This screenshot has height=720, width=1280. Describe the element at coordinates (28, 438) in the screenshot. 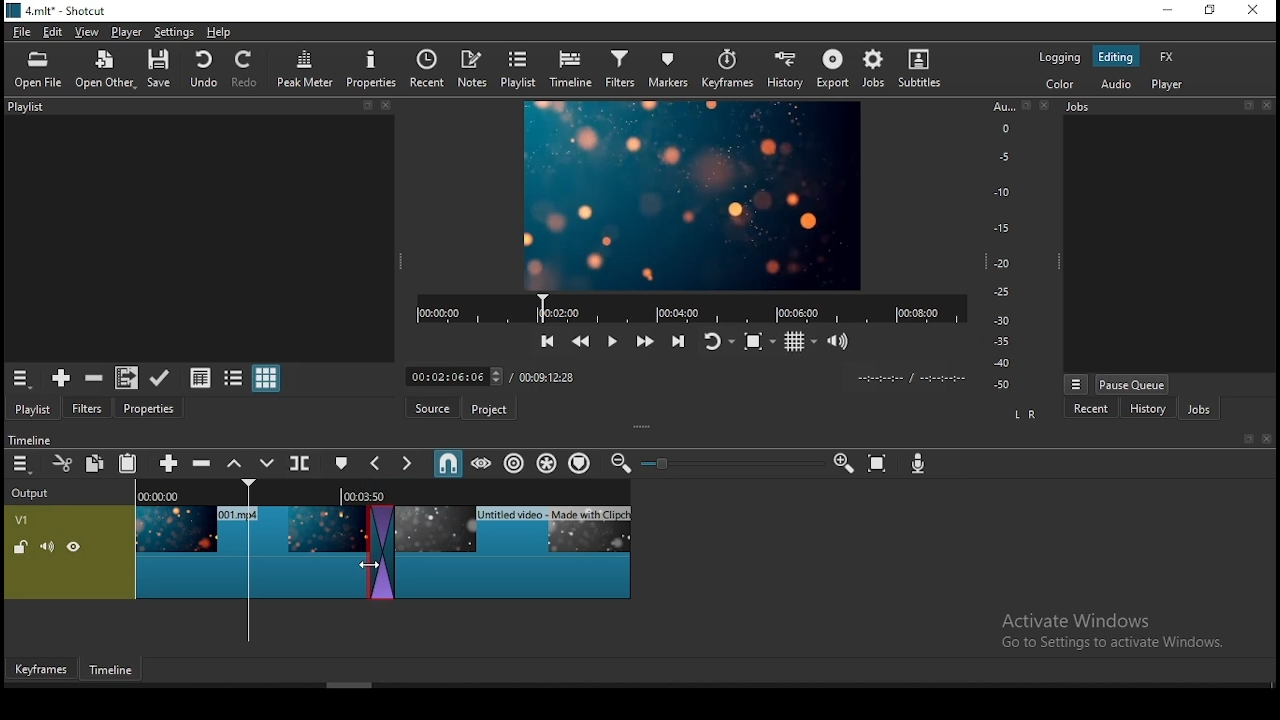

I see `timeline` at that location.